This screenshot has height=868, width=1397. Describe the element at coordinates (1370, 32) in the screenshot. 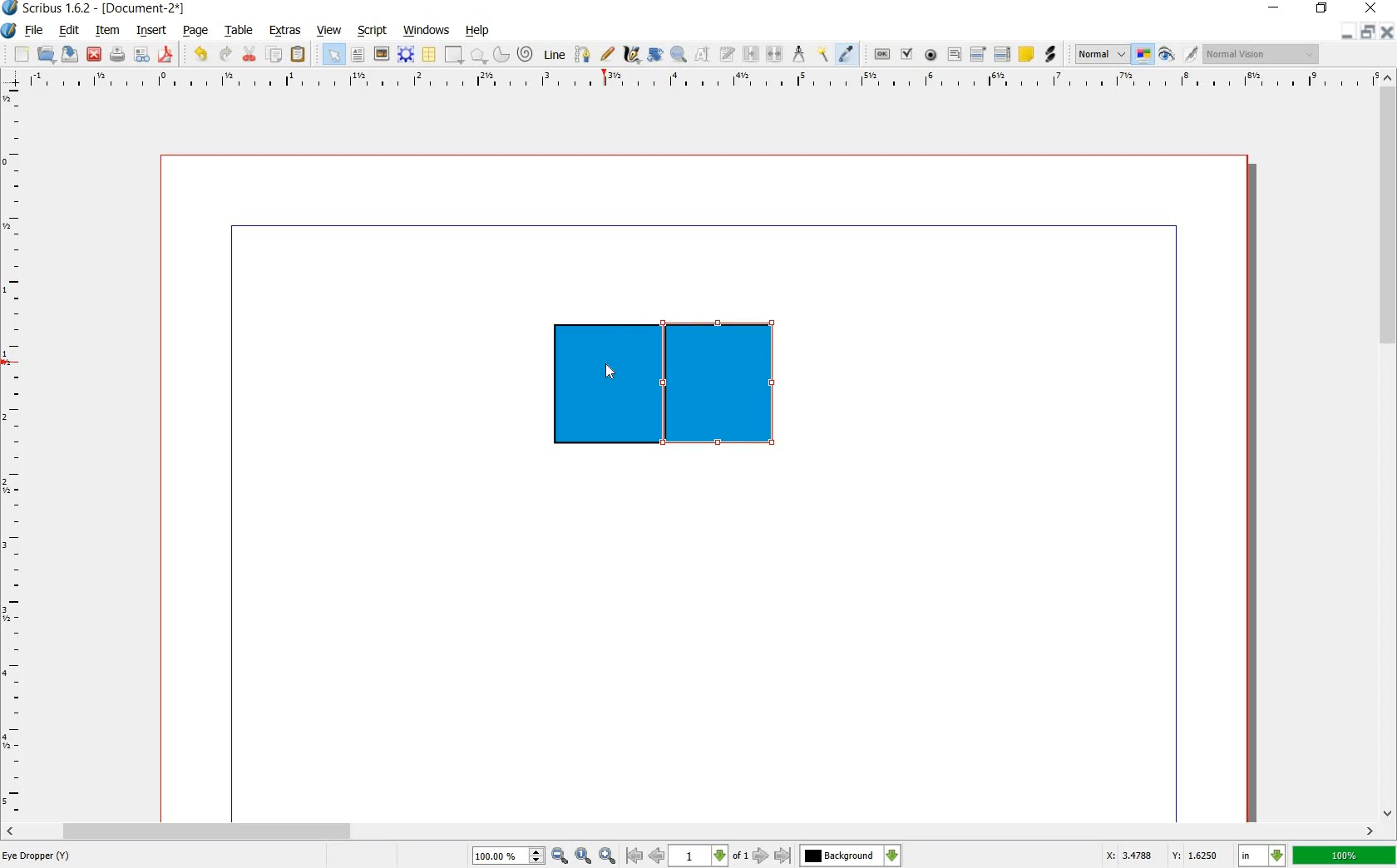

I see `restore` at that location.